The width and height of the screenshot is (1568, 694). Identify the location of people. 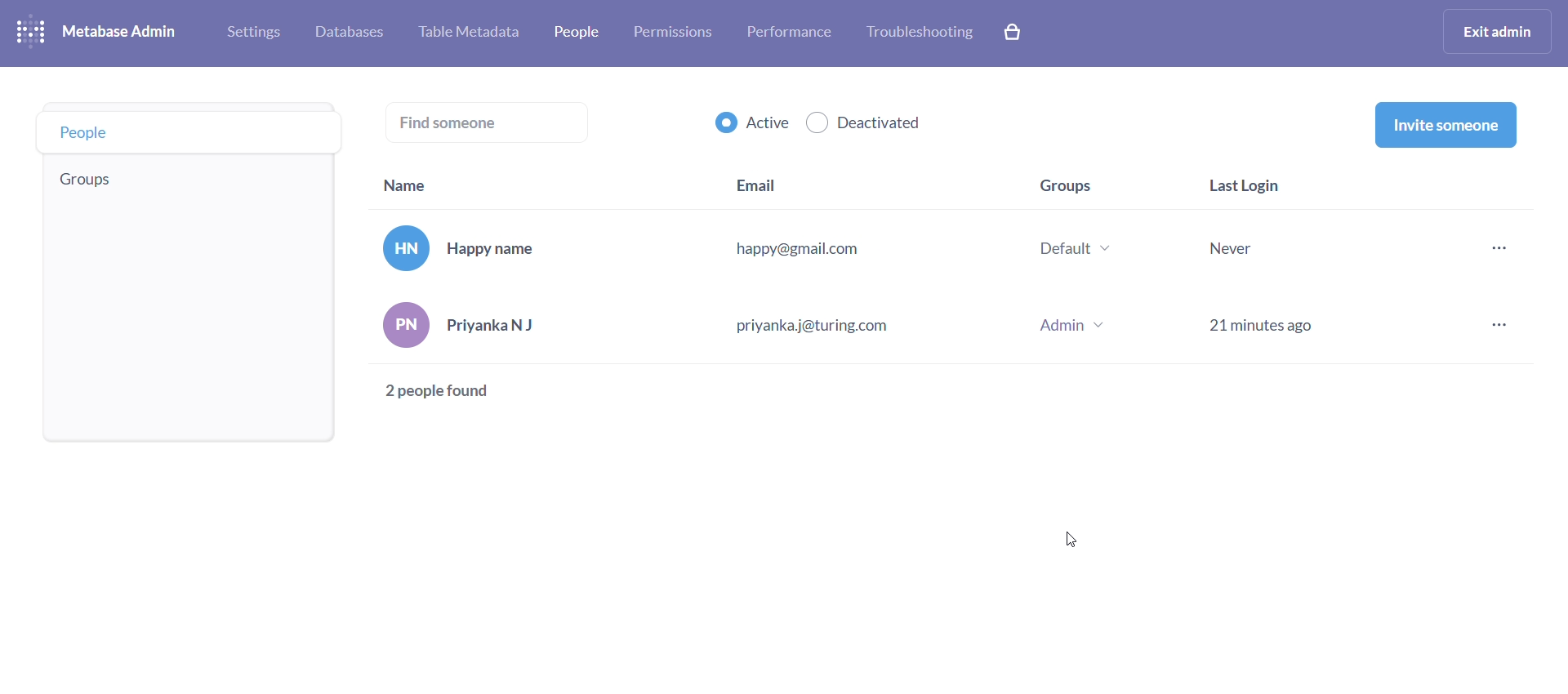
(189, 133).